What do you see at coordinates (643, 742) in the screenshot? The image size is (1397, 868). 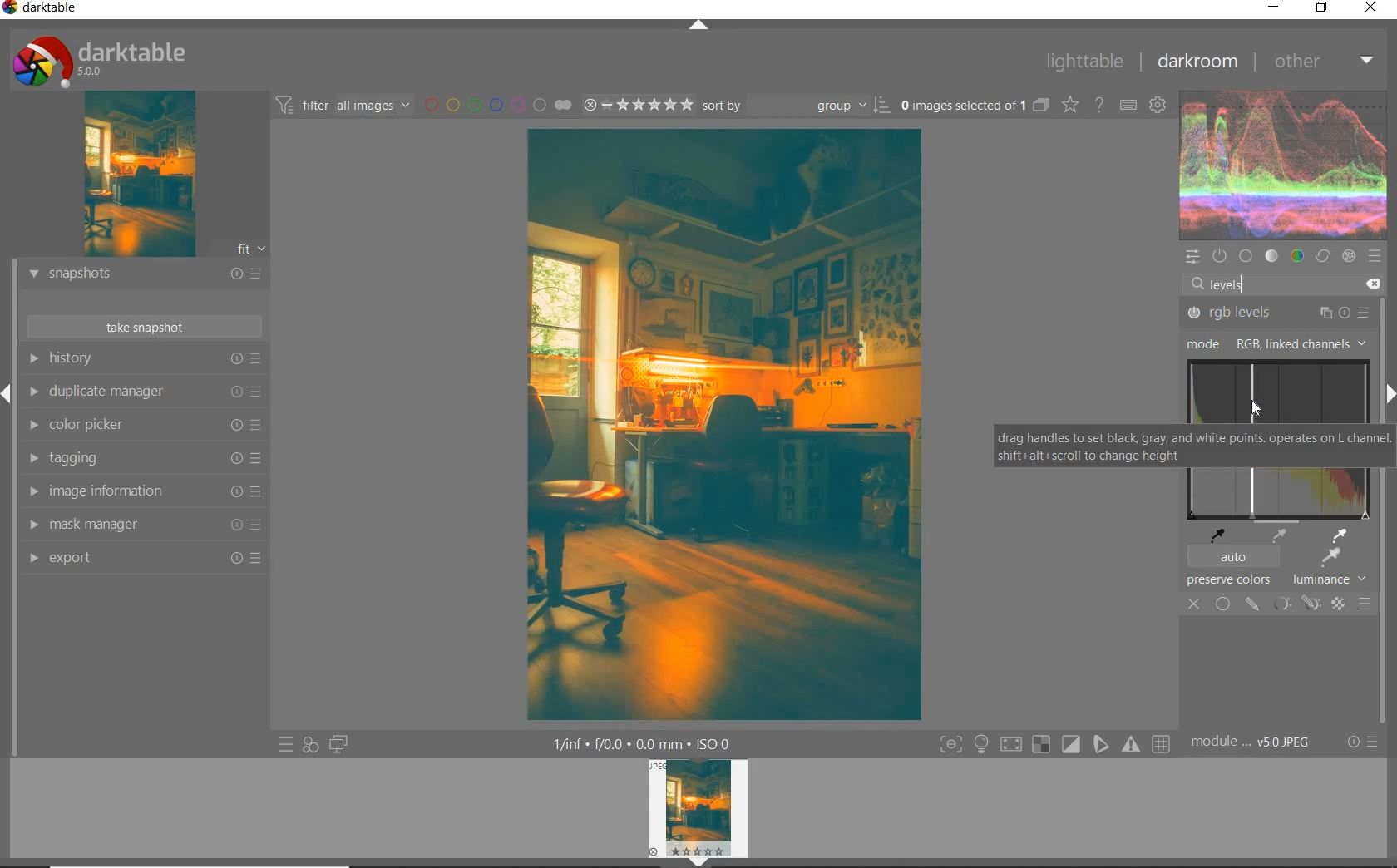 I see `other display information` at bounding box center [643, 742].